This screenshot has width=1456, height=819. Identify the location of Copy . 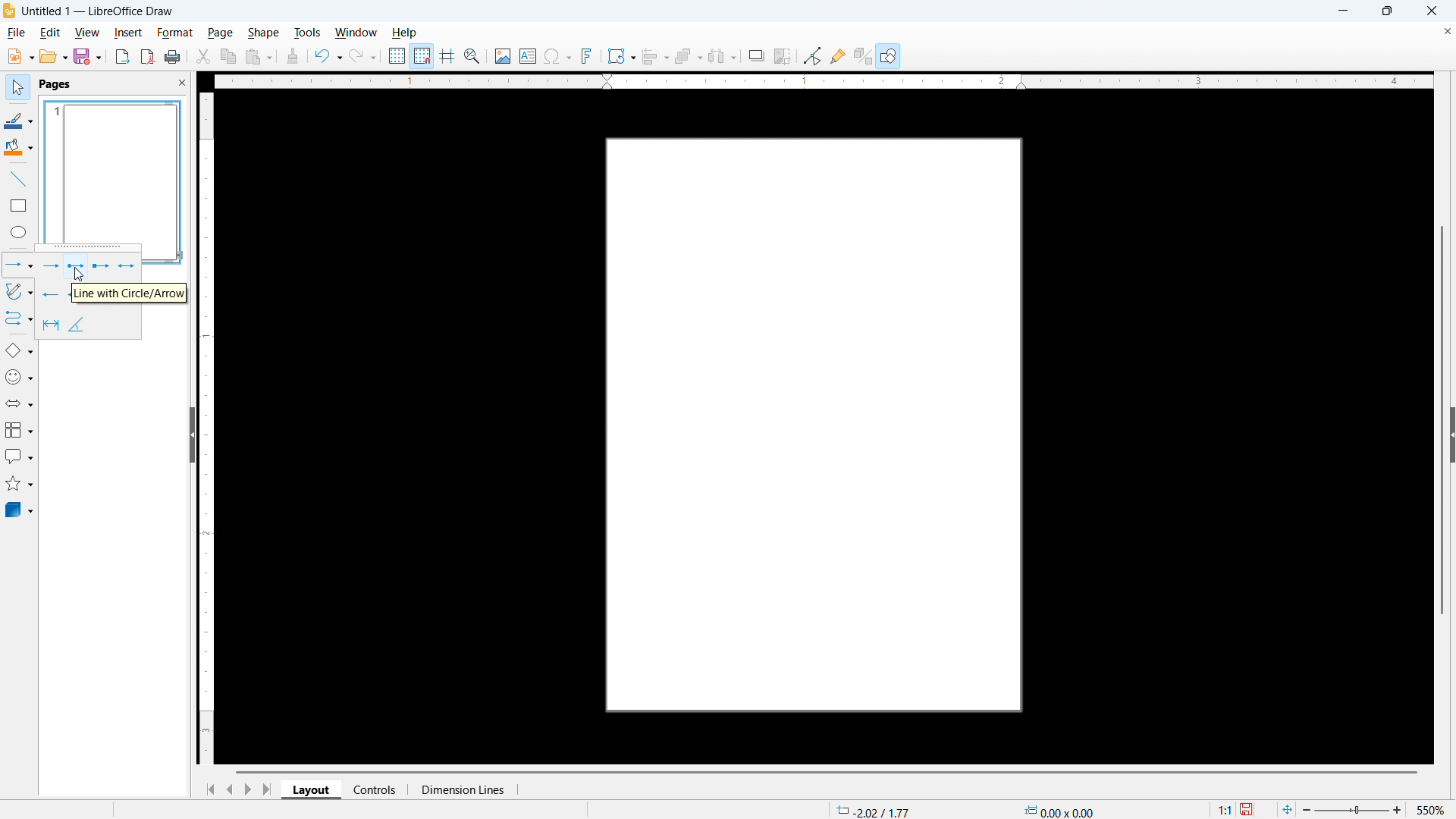
(229, 56).